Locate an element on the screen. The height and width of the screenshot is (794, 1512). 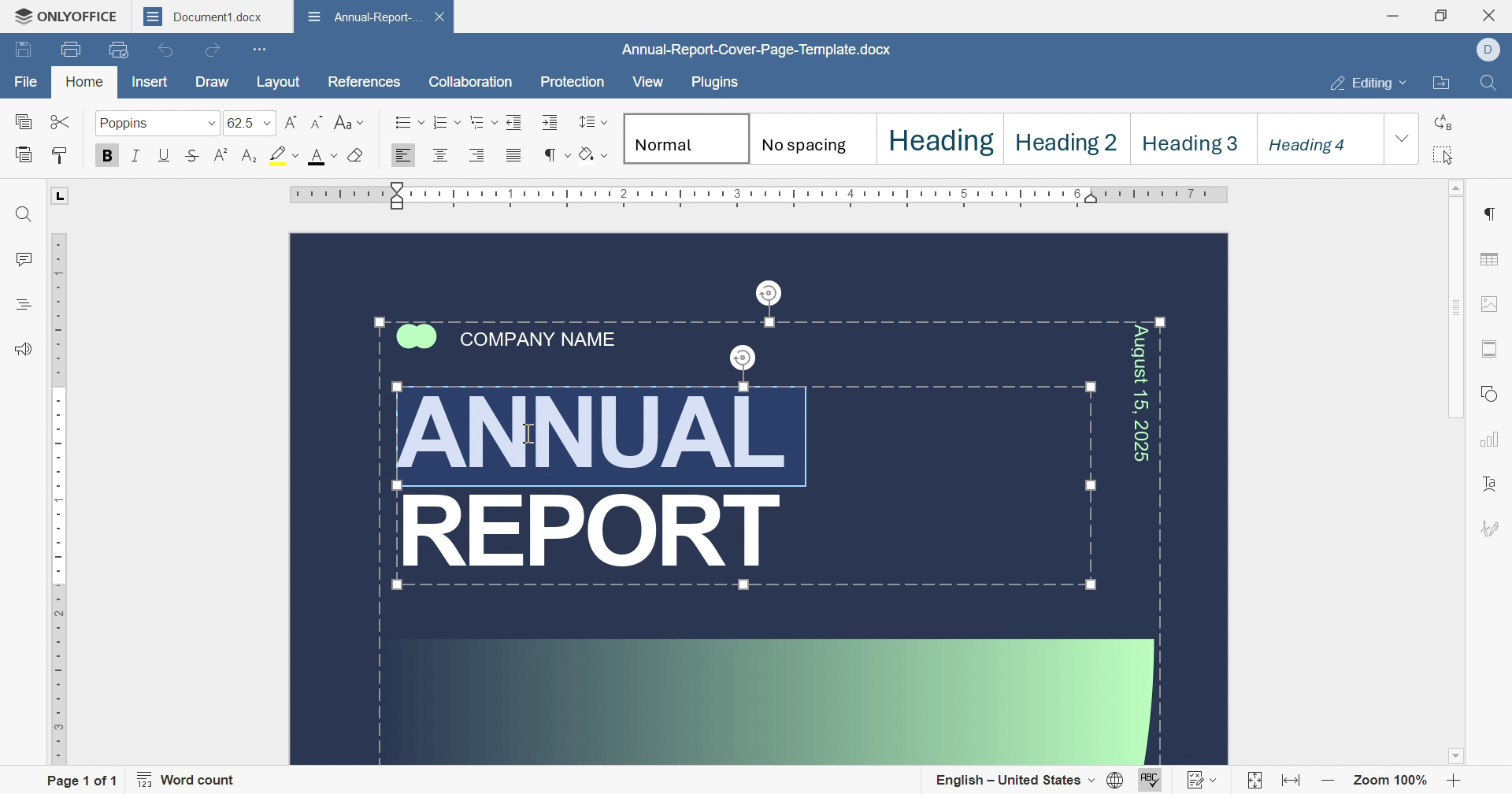
underline is located at coordinates (165, 156).